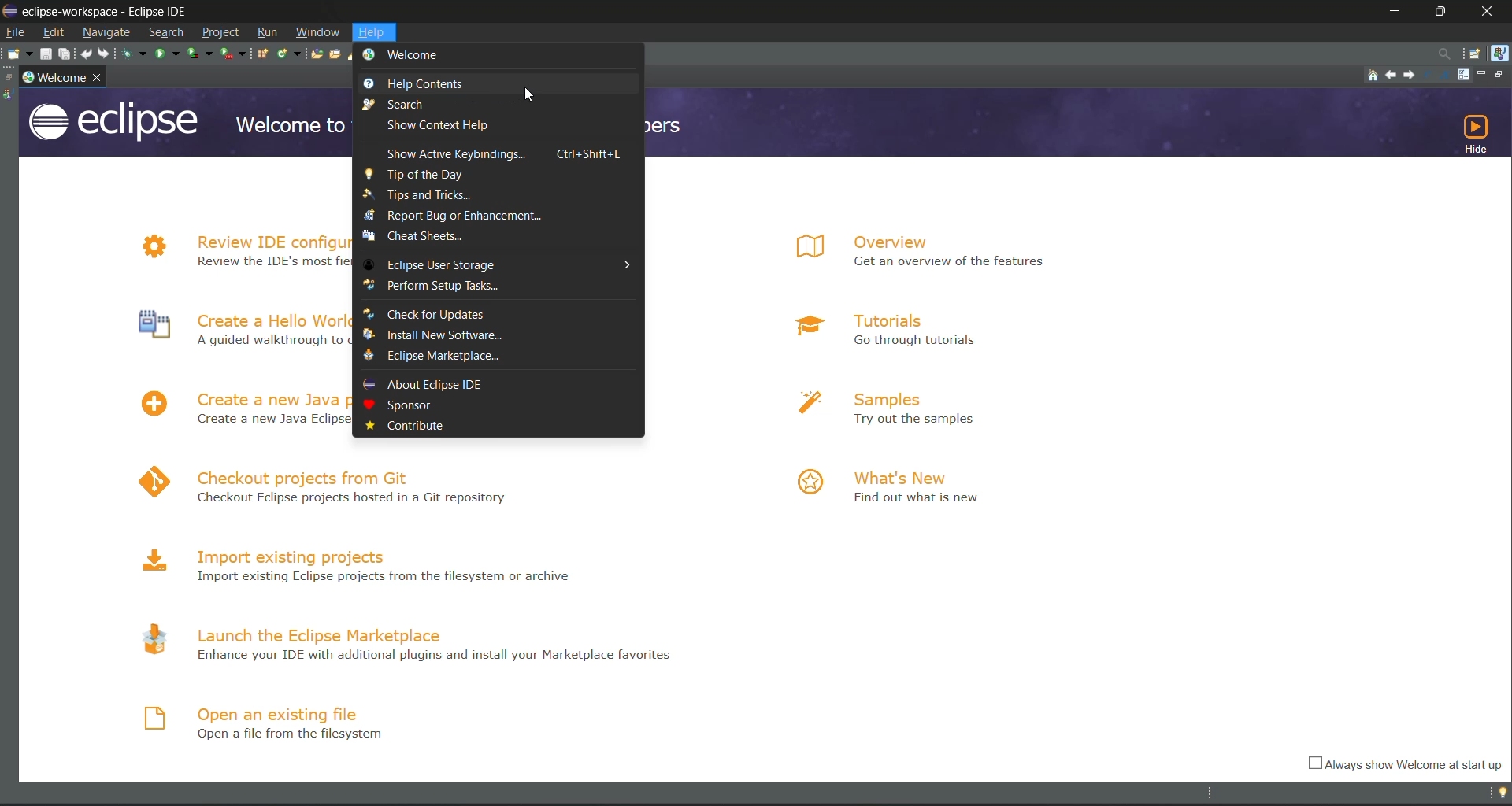  Describe the element at coordinates (233, 54) in the screenshot. I see `run last tool` at that location.